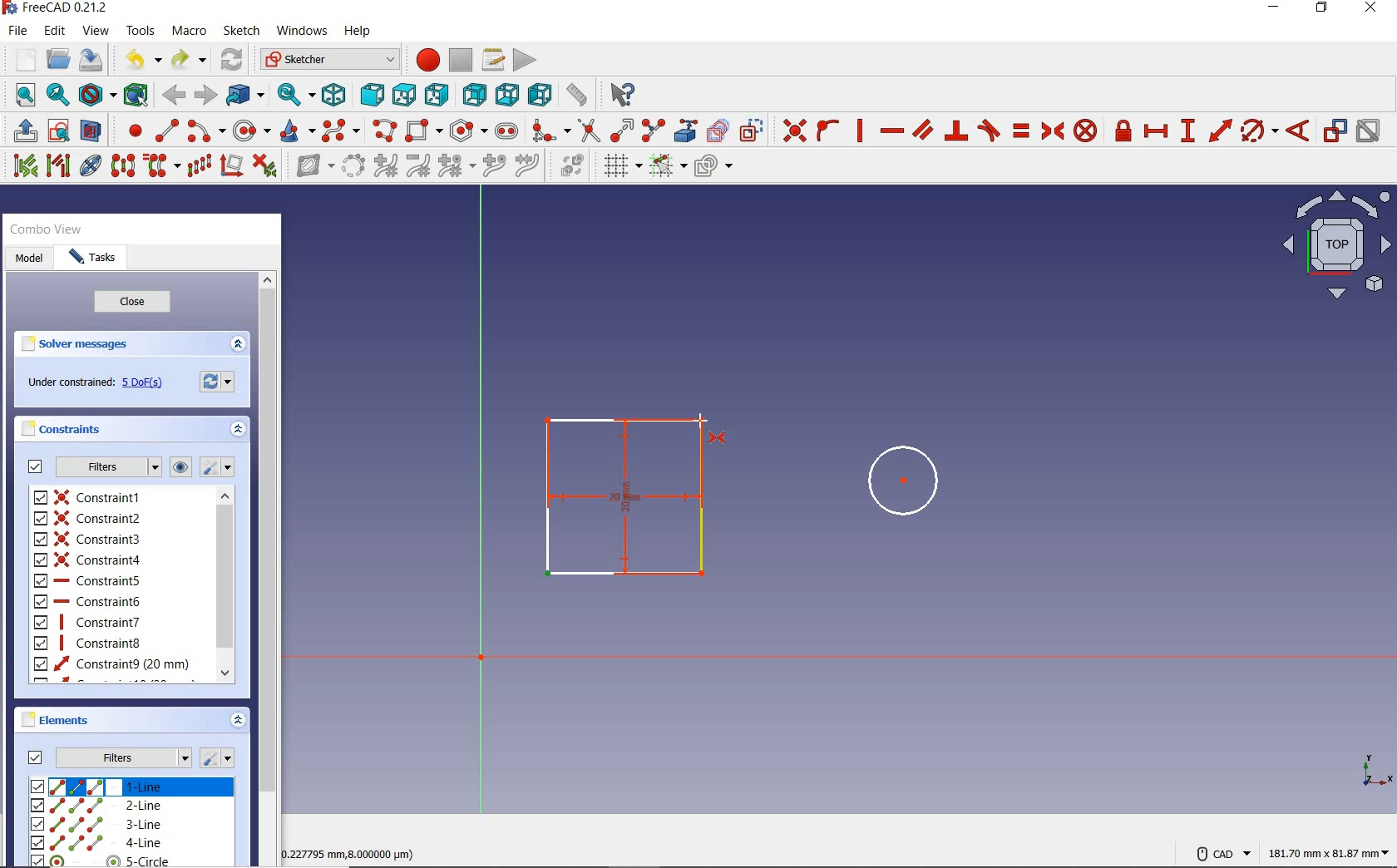 Image resolution: width=1397 pixels, height=868 pixels. Describe the element at coordinates (57, 167) in the screenshot. I see `select associated geometry` at that location.